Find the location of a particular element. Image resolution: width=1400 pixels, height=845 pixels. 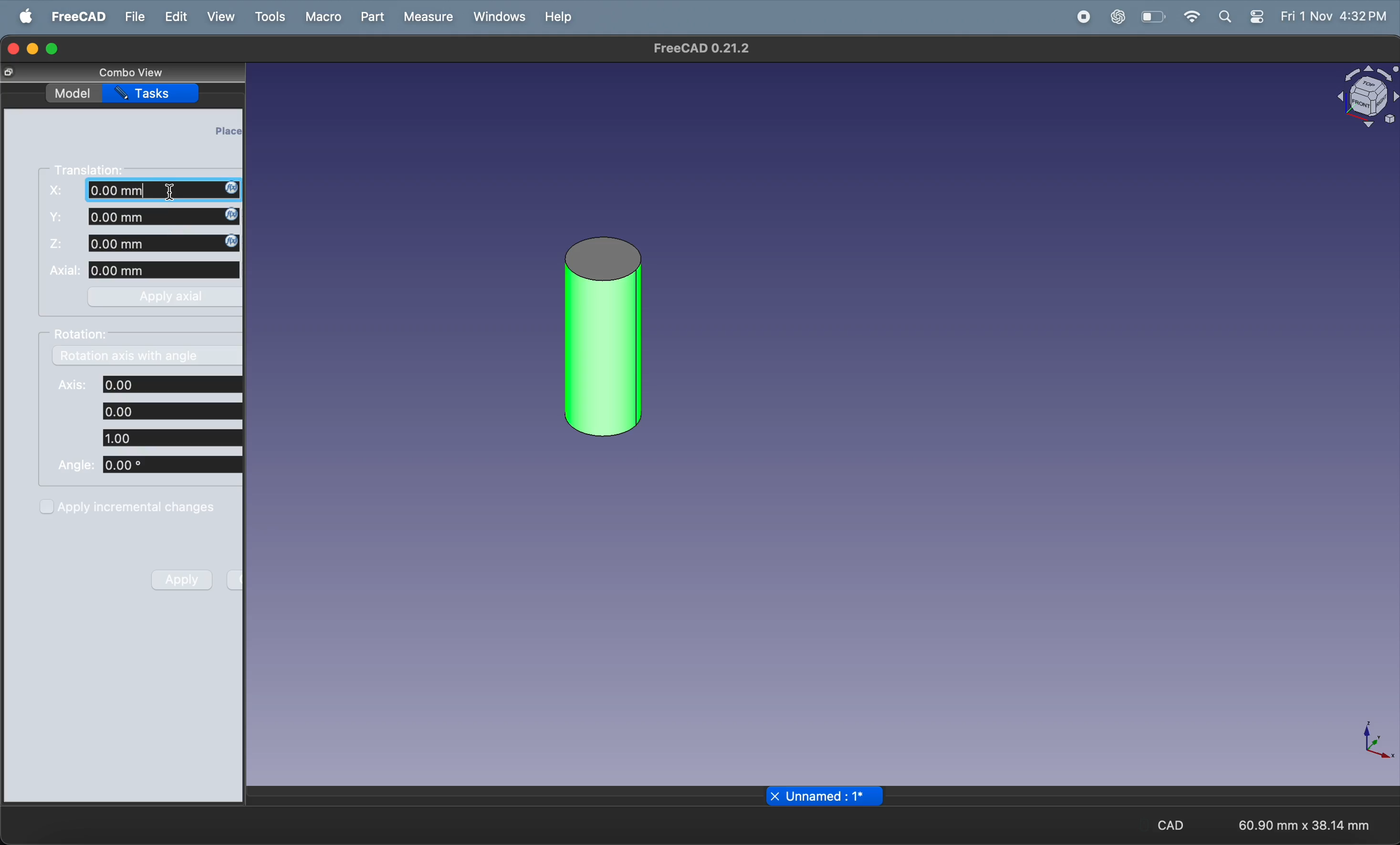

tools is located at coordinates (269, 17).